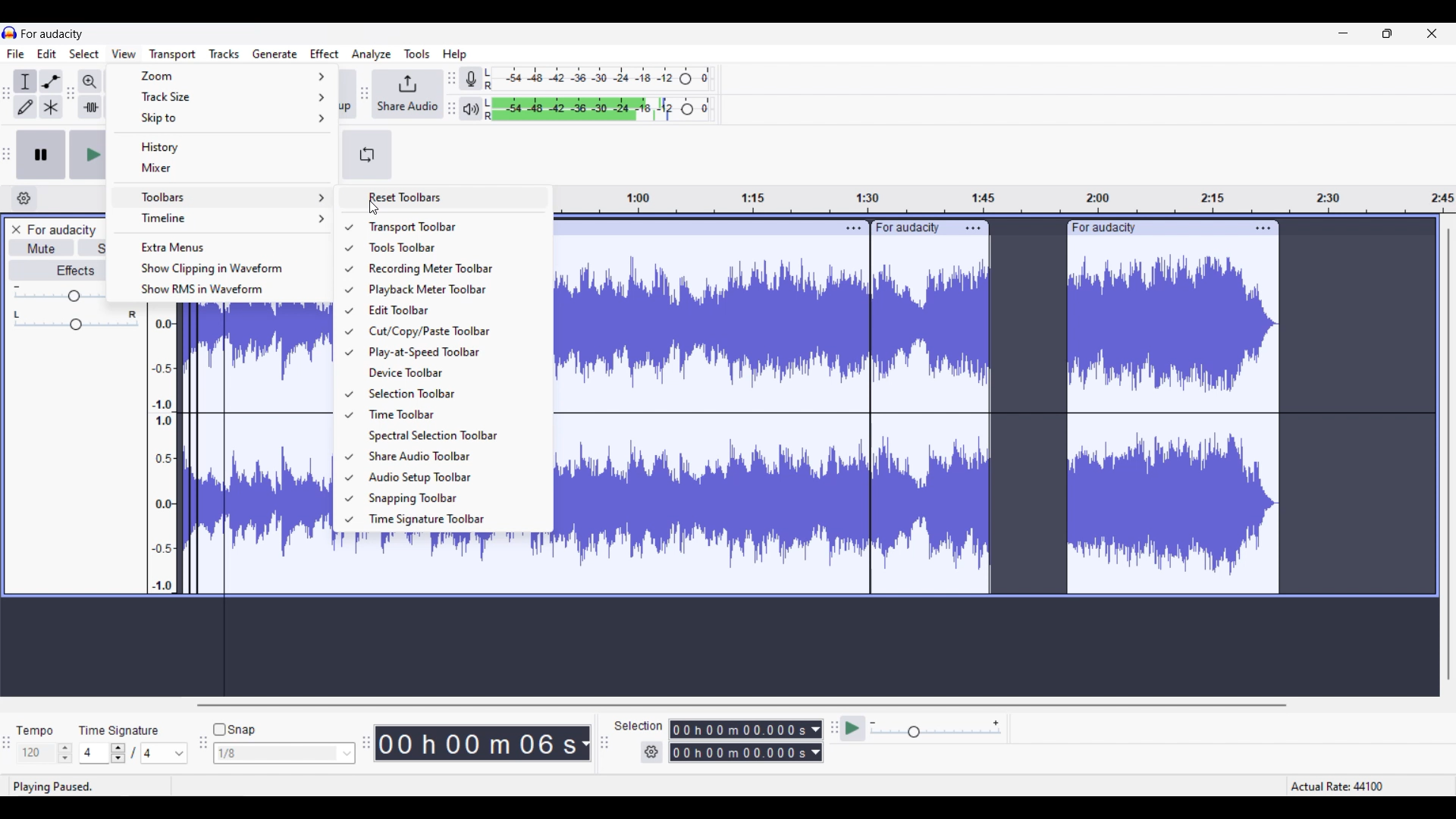 The height and width of the screenshot is (819, 1456). I want to click on time signature, so click(119, 730).